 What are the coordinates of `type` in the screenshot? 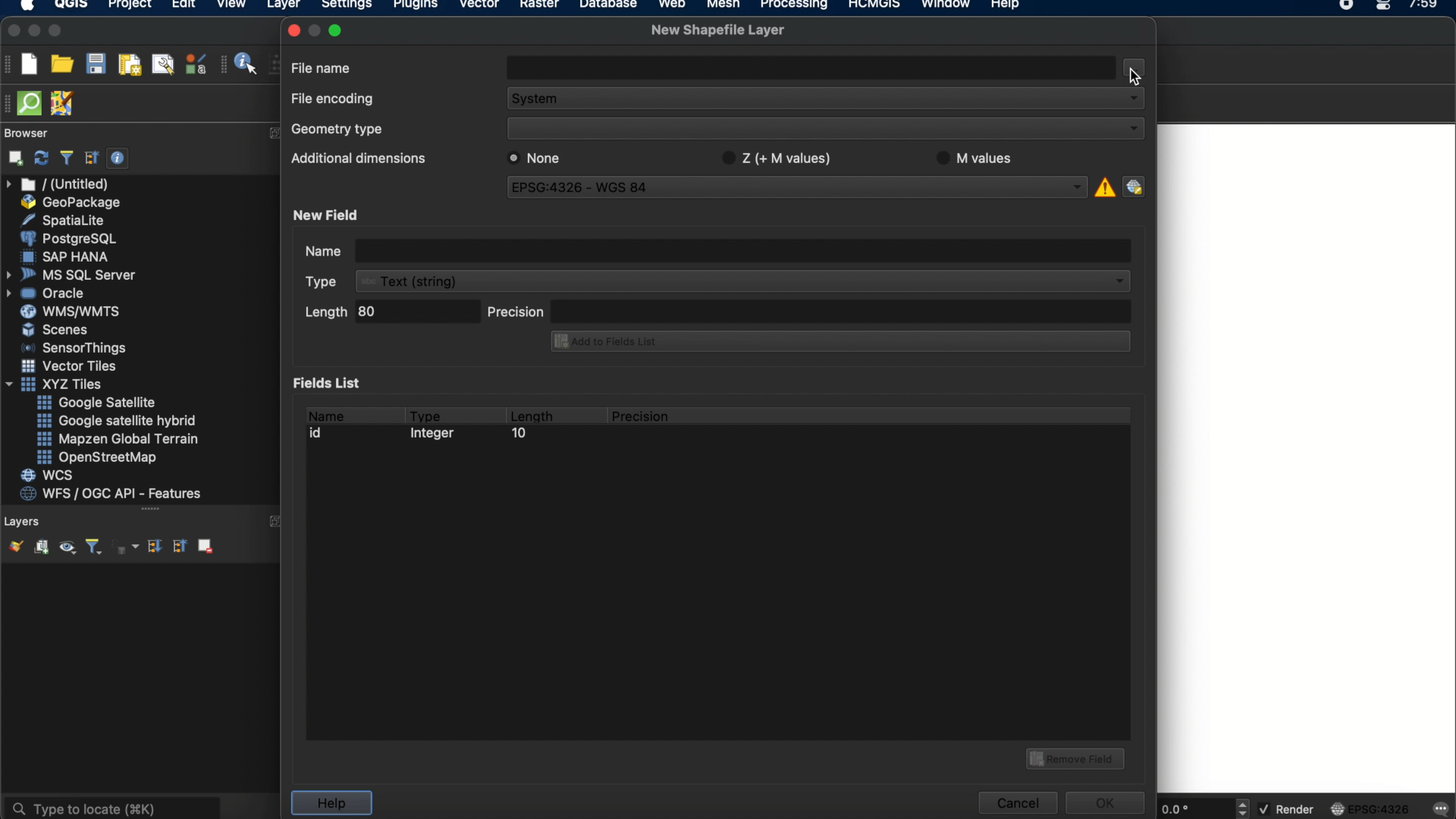 It's located at (325, 281).